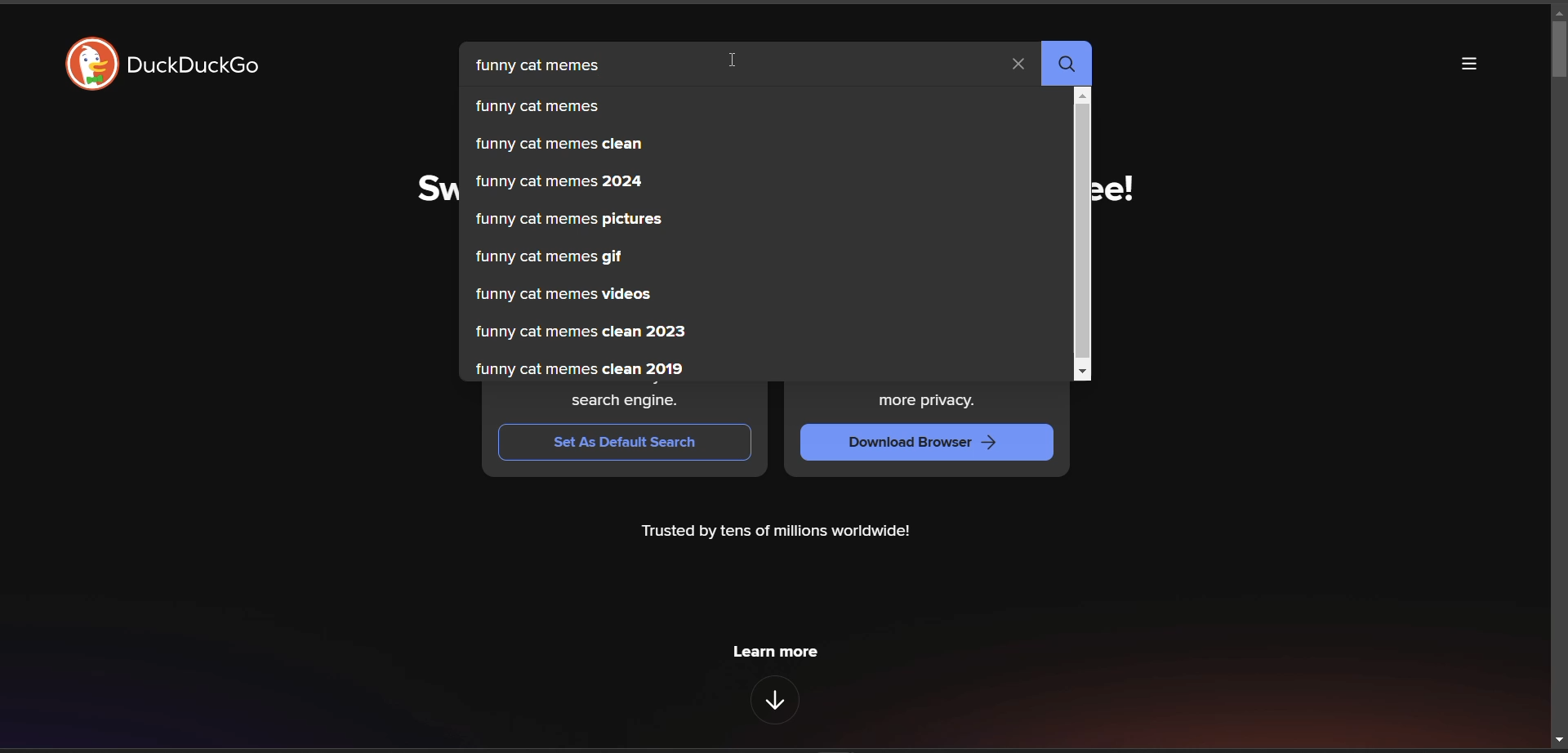  Describe the element at coordinates (577, 369) in the screenshot. I see `funny cat memes clean 2019` at that location.